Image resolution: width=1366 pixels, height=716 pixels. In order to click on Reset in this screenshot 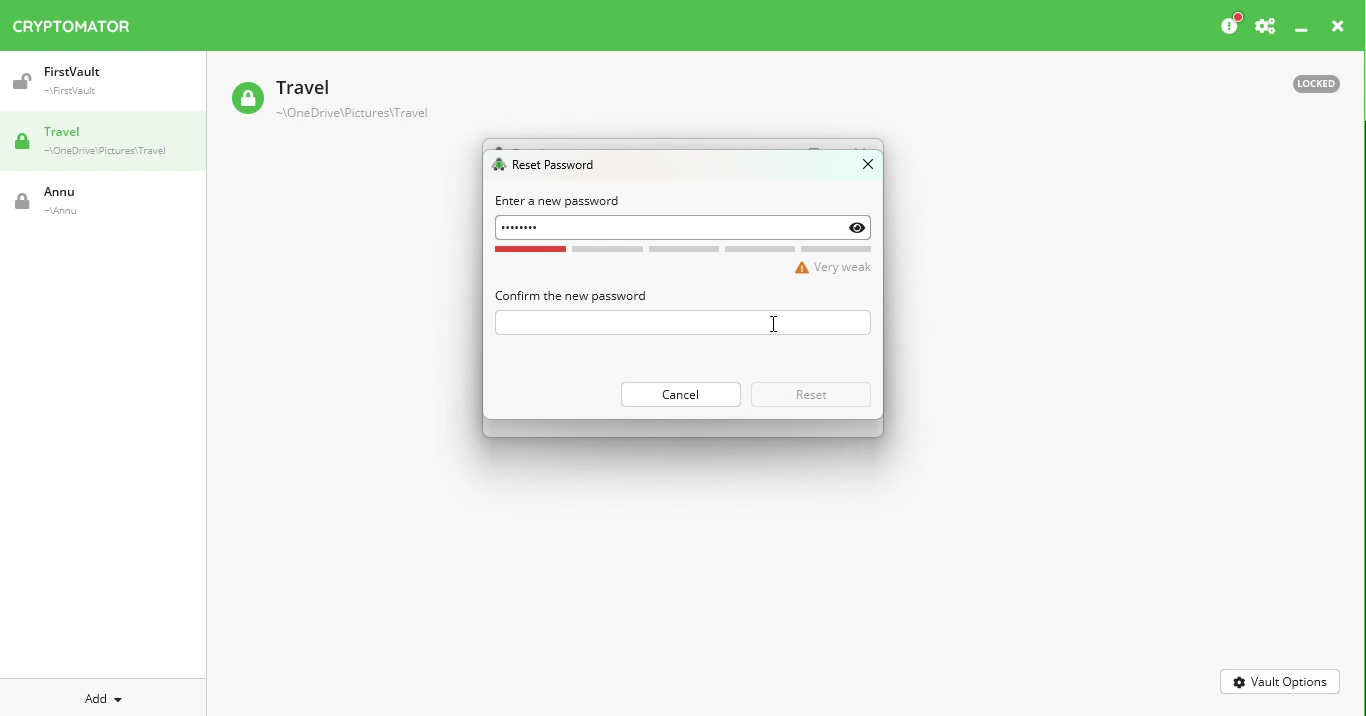, I will do `click(813, 394)`.